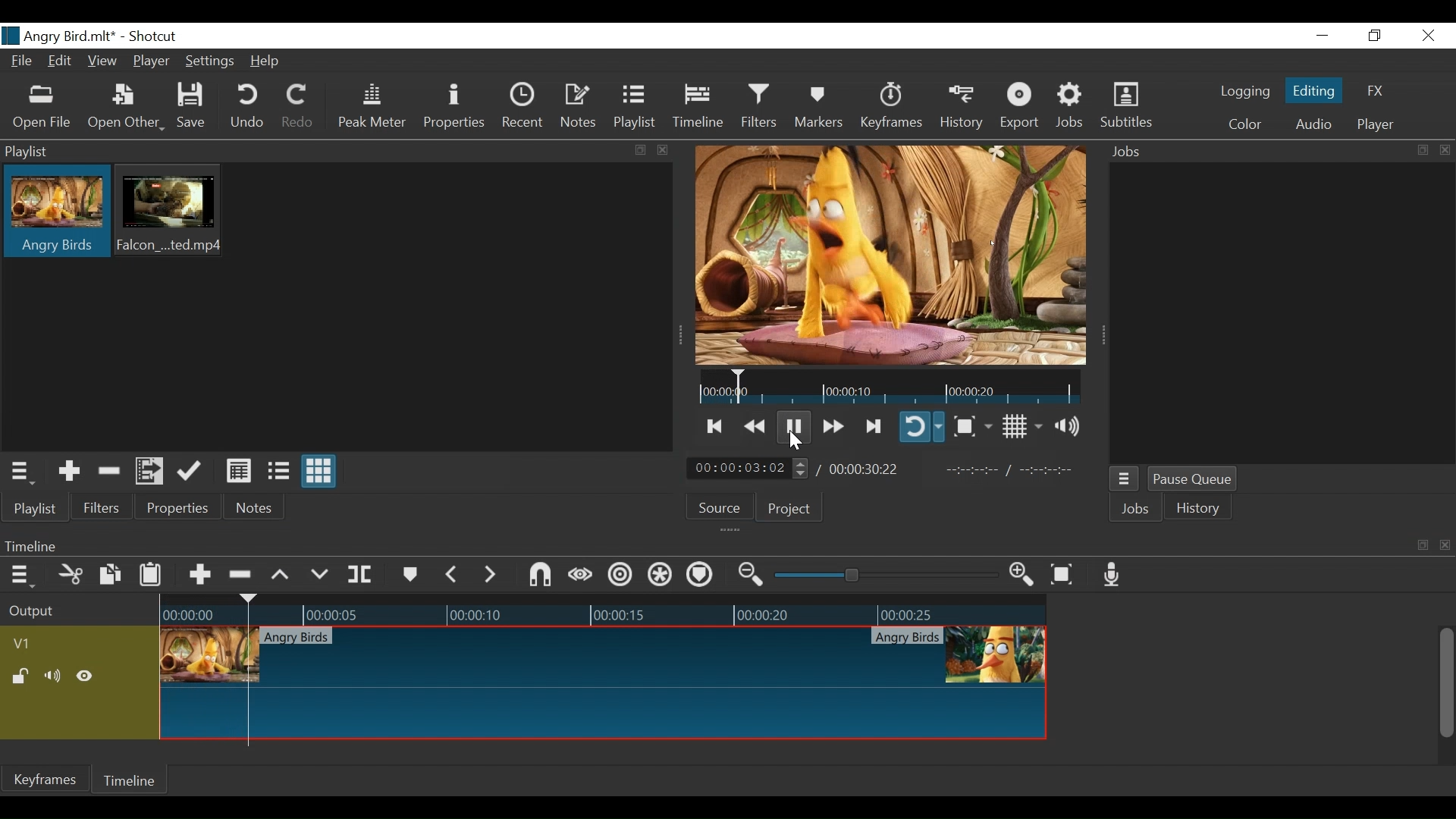 Image resolution: width=1456 pixels, height=819 pixels. I want to click on FX, so click(1375, 90).